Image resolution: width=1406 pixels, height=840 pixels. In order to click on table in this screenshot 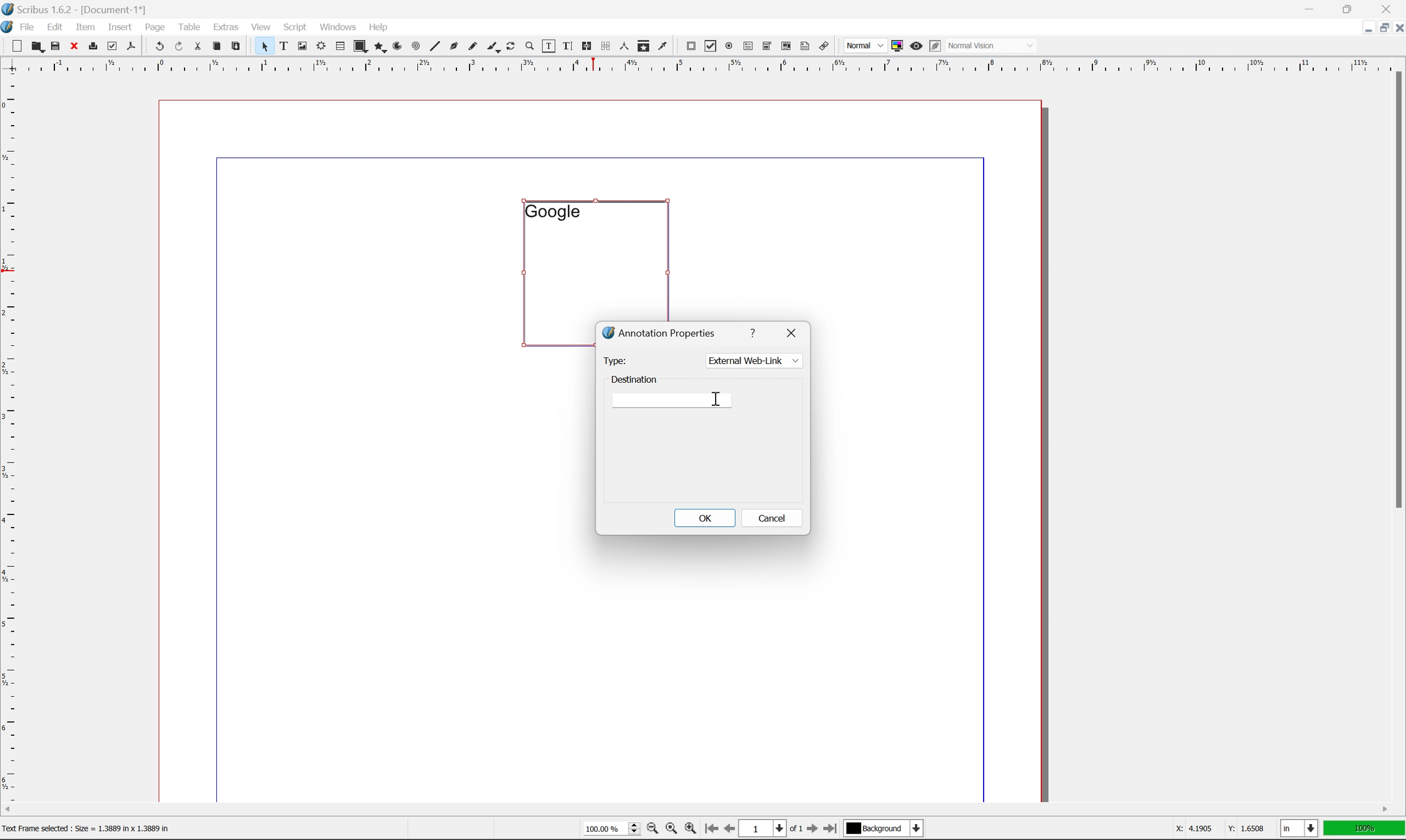, I will do `click(190, 26)`.